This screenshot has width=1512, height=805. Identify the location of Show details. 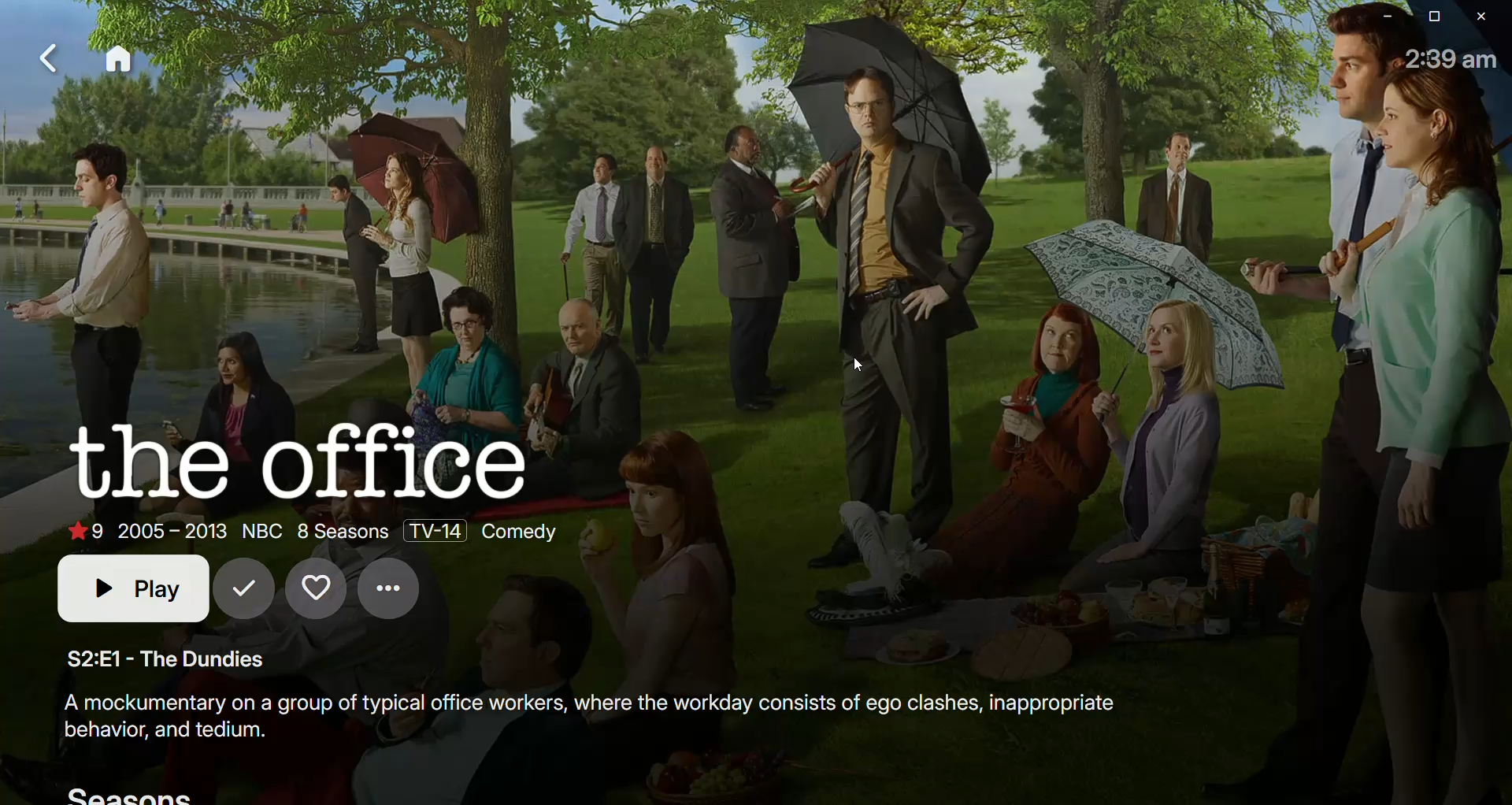
(314, 529).